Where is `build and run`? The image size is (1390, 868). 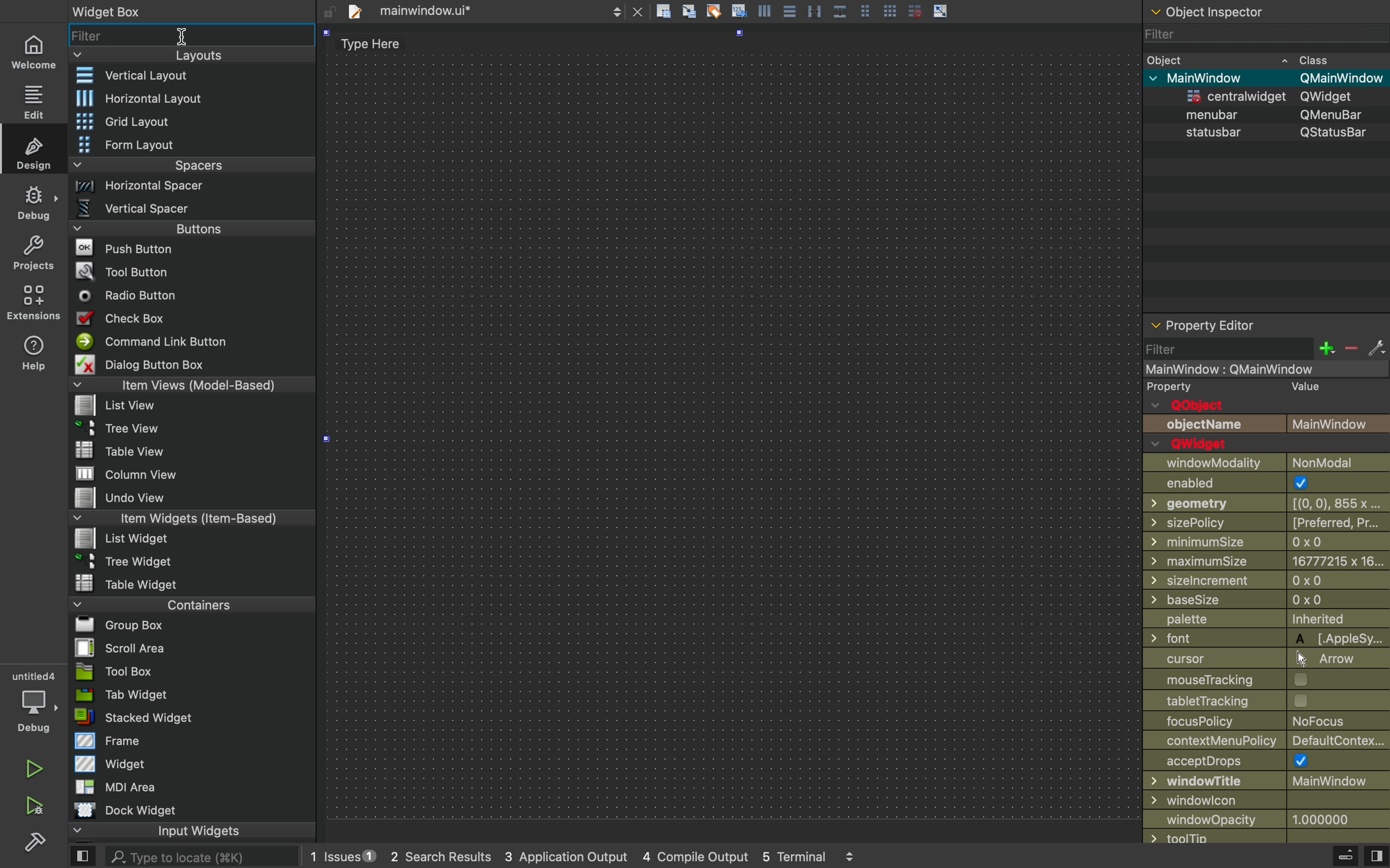 build and run is located at coordinates (33, 805).